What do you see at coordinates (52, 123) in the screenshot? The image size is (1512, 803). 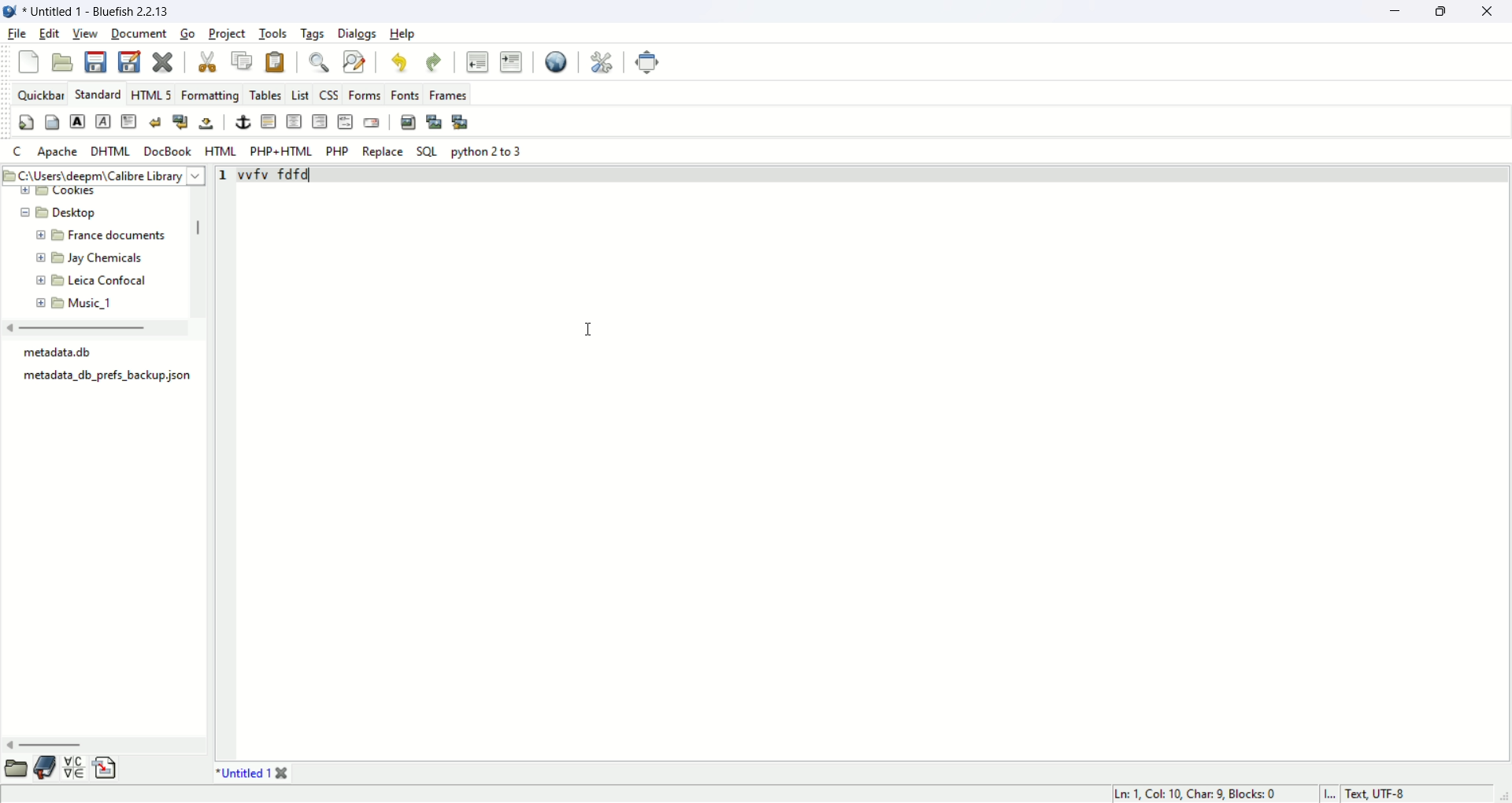 I see `body` at bounding box center [52, 123].